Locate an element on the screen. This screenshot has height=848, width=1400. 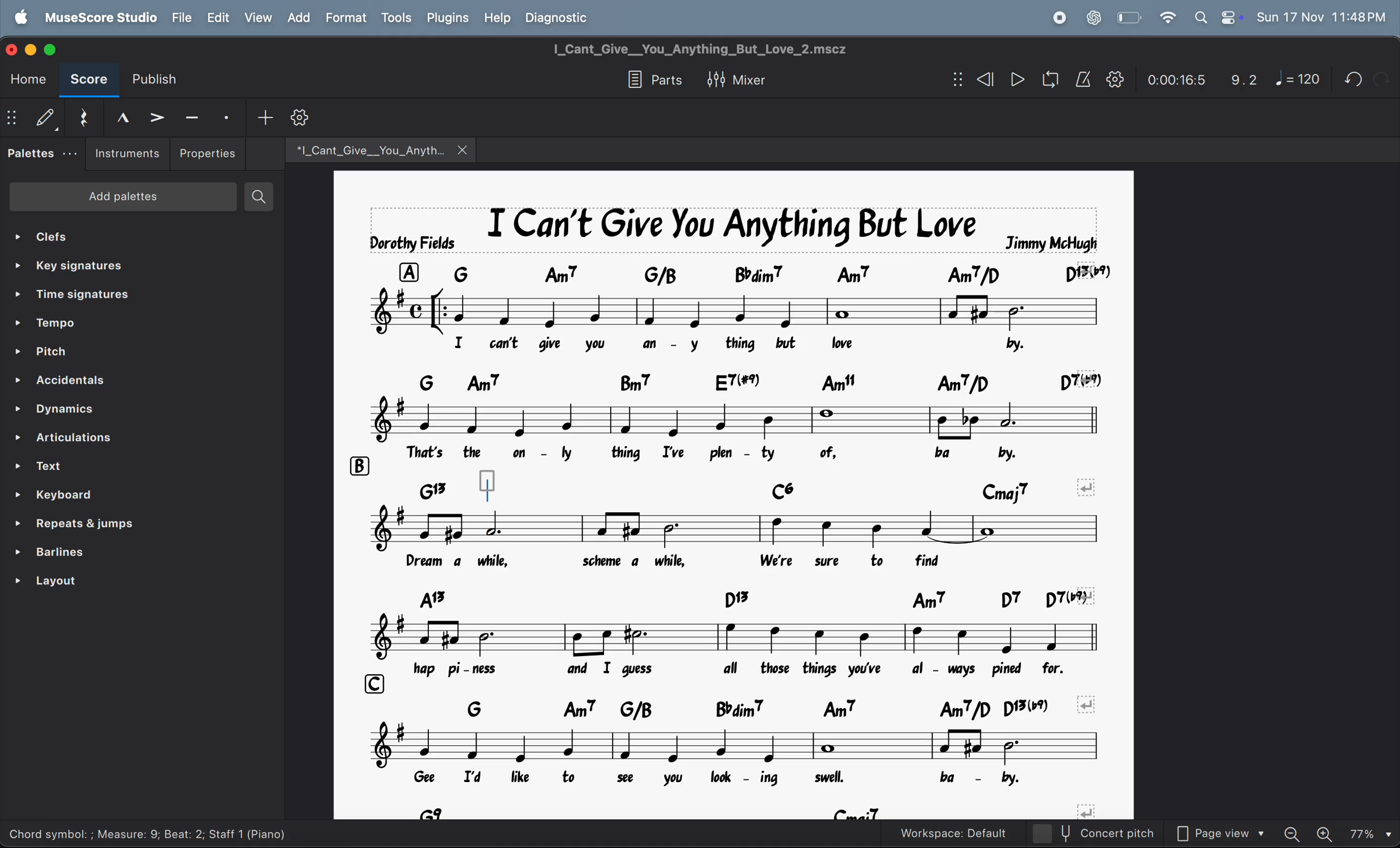
battery is located at coordinates (1130, 17).